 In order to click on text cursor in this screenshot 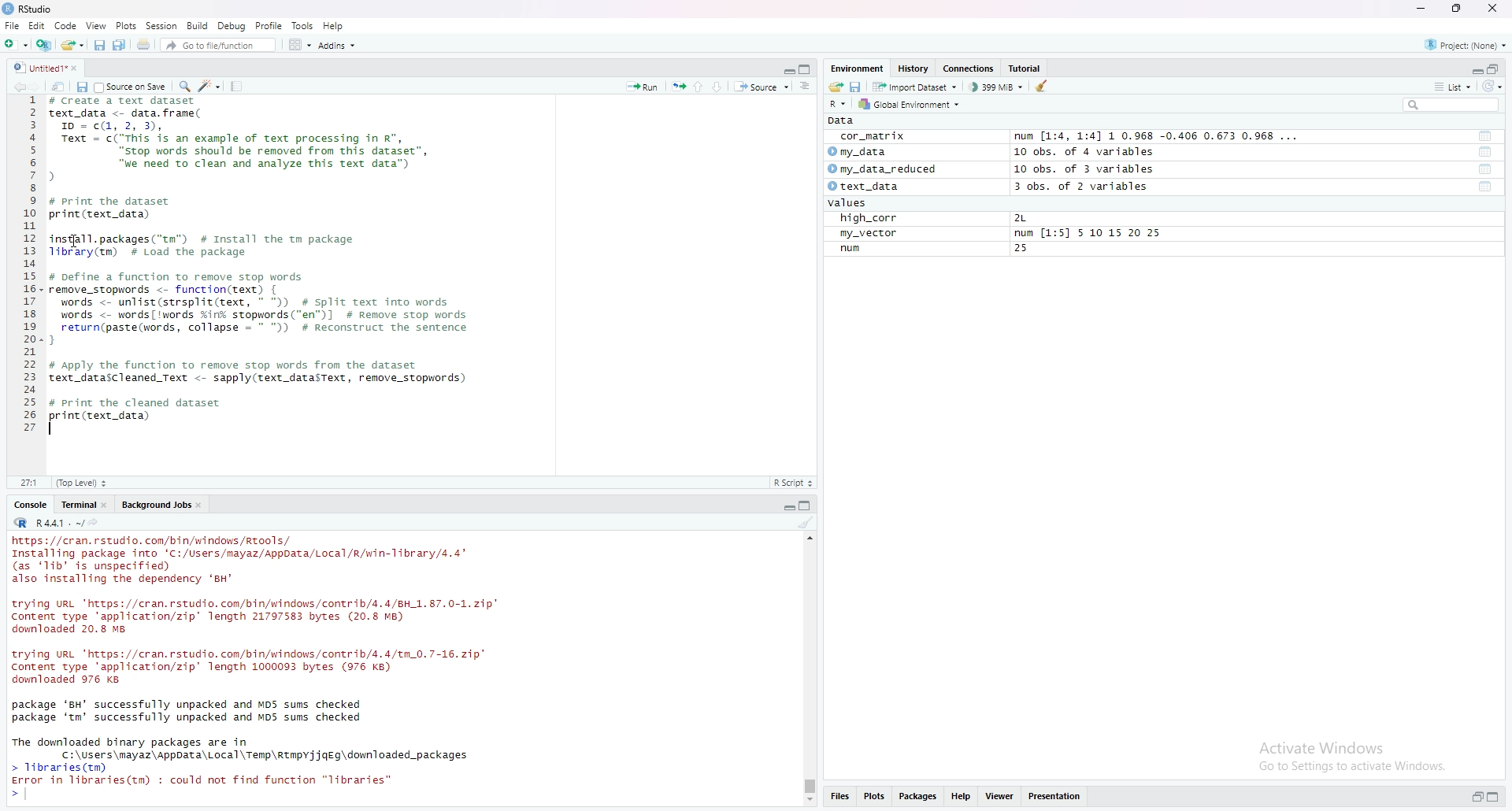, I will do `click(54, 431)`.